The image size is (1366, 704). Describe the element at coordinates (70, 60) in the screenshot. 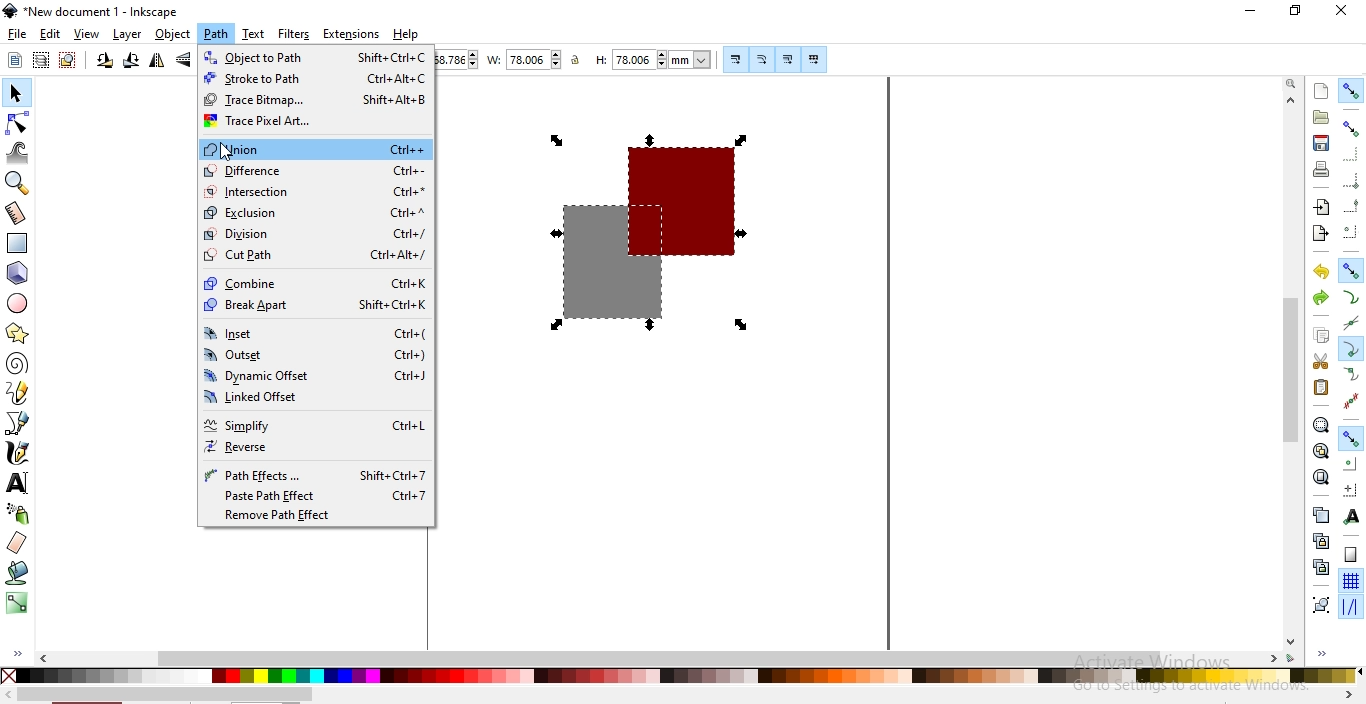

I see `deselect selected objects or nodes` at that location.